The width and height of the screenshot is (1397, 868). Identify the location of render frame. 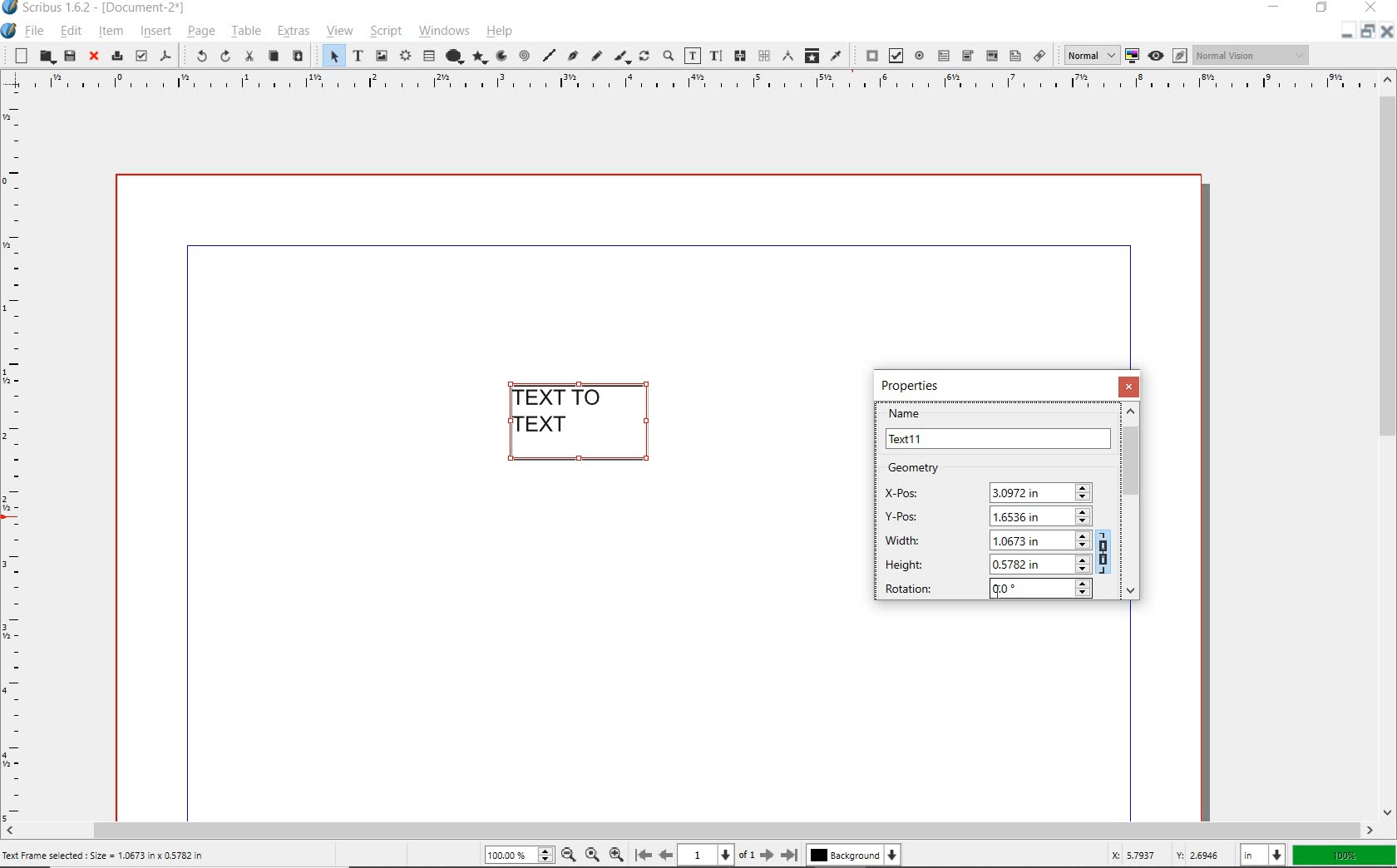
(405, 57).